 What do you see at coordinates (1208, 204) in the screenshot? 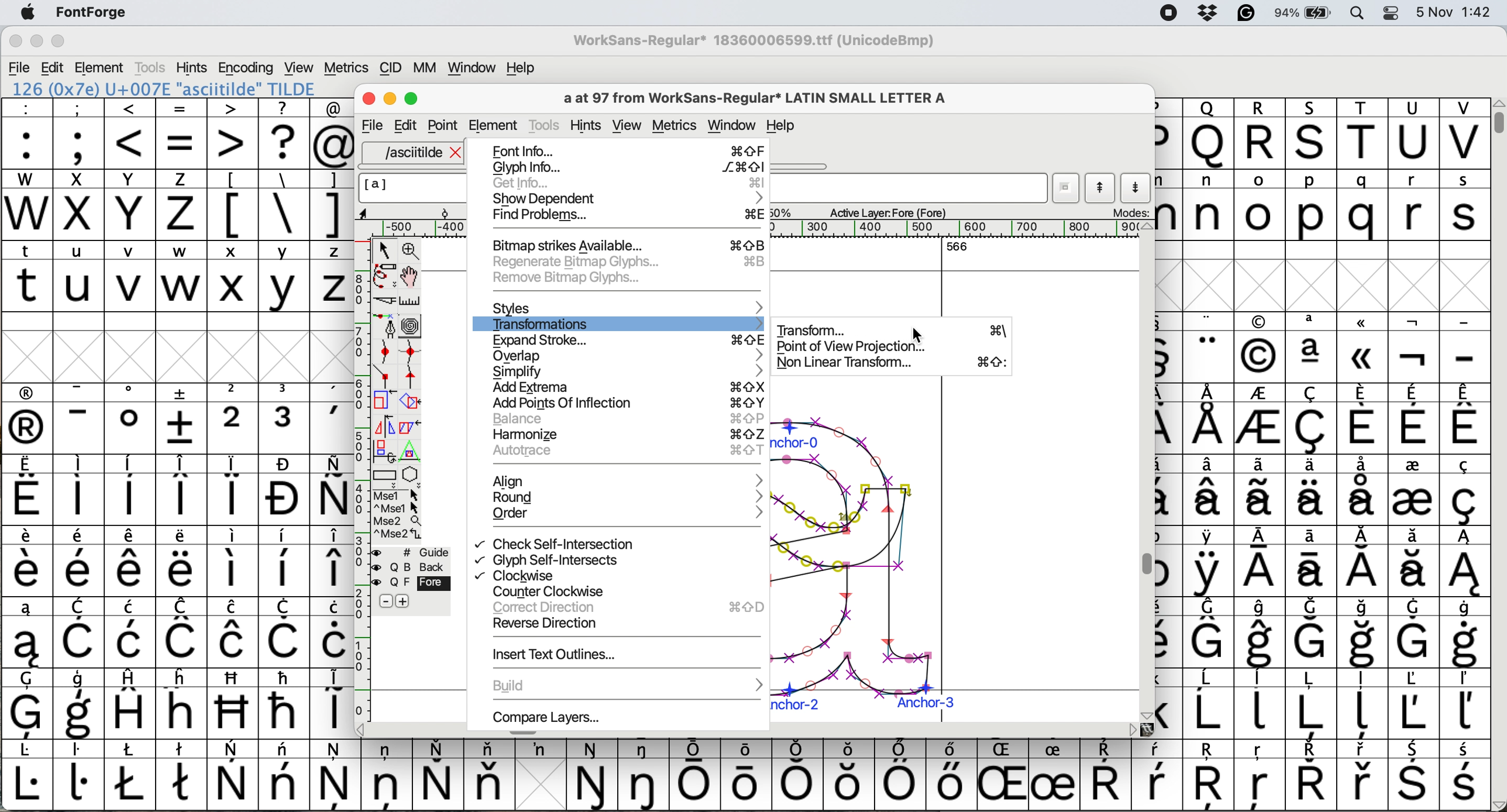
I see `n` at bounding box center [1208, 204].